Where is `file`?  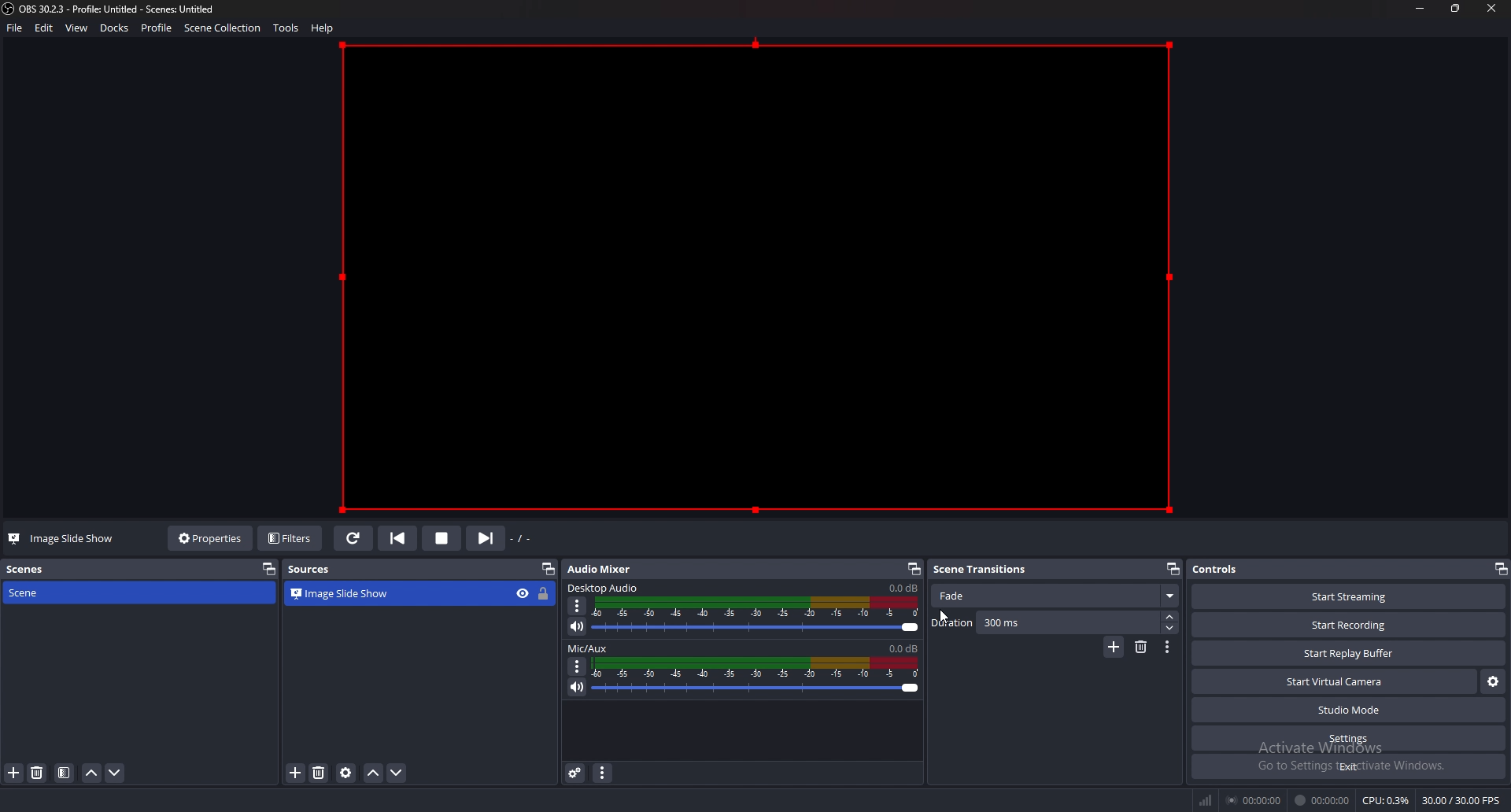 file is located at coordinates (15, 28).